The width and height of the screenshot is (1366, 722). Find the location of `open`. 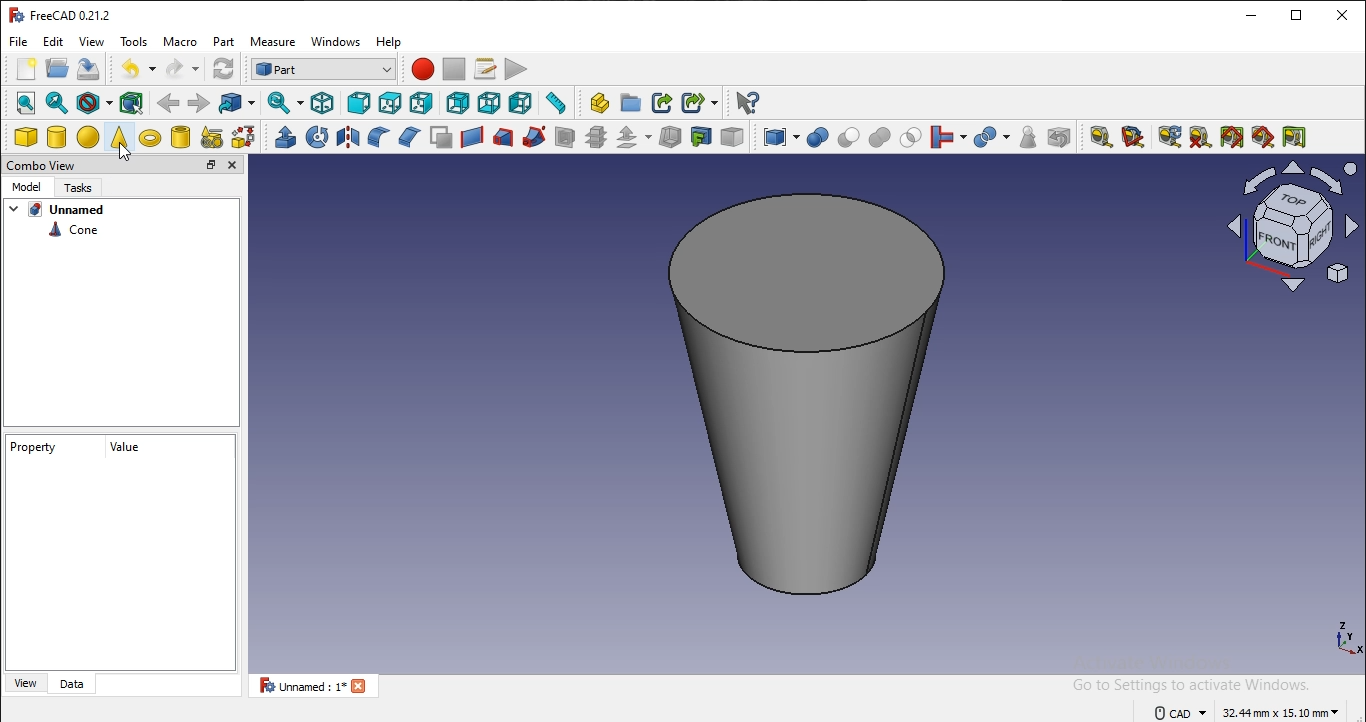

open is located at coordinates (56, 69).